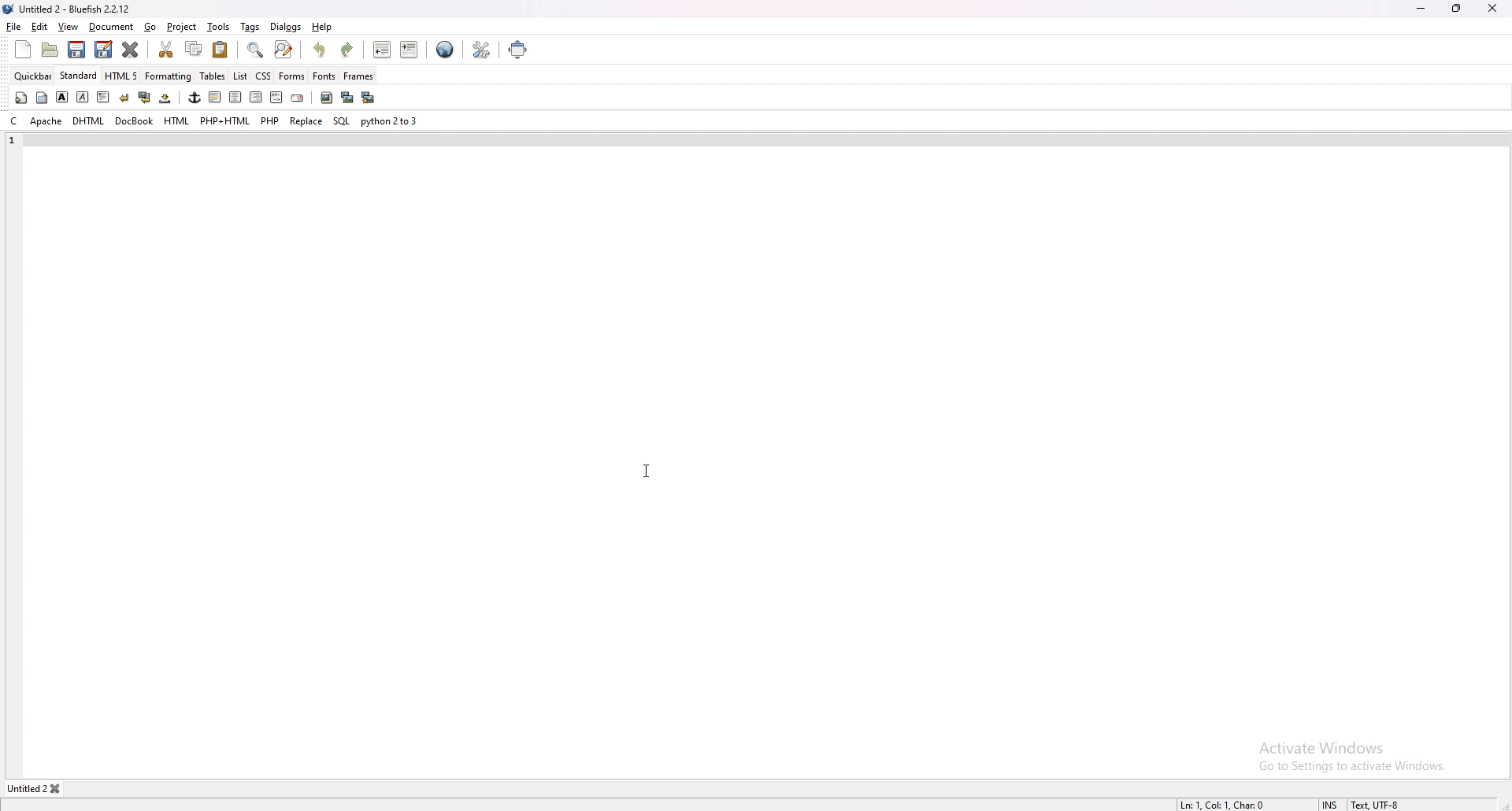  I want to click on quickbar, so click(33, 76).